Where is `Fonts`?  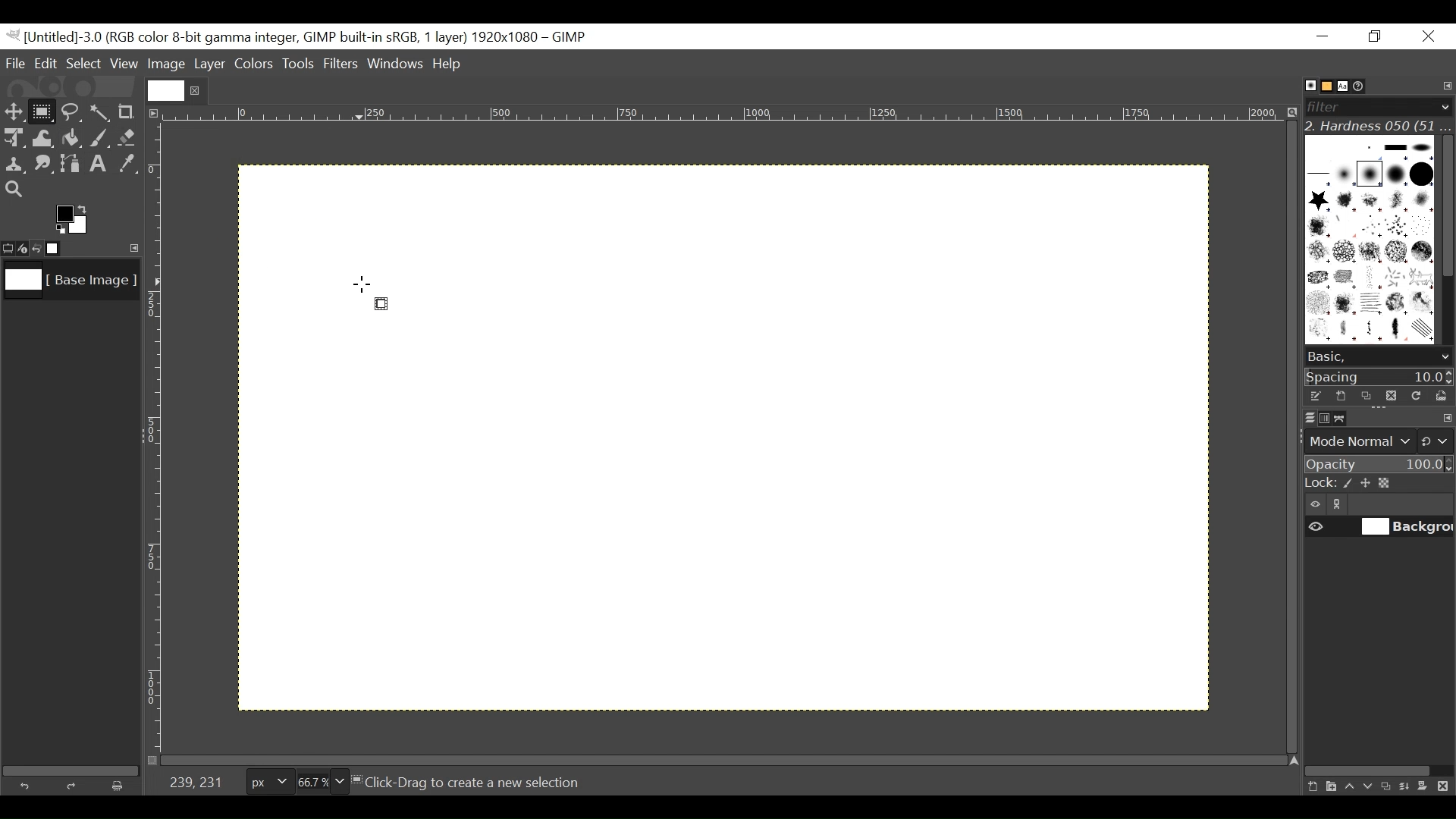
Fonts is located at coordinates (1345, 85).